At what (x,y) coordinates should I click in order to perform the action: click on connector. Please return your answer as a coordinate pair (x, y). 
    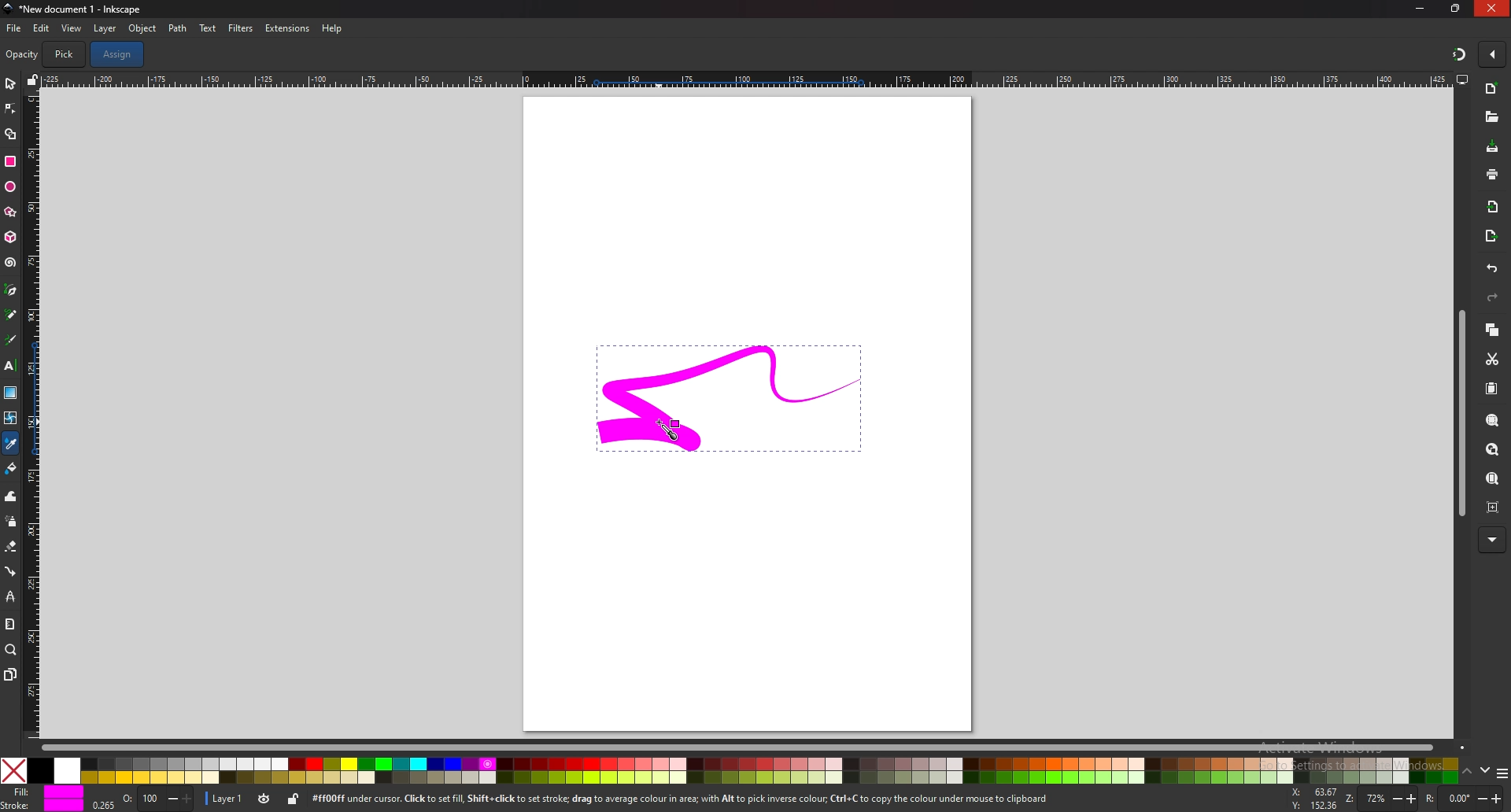
    Looking at the image, I should click on (11, 572).